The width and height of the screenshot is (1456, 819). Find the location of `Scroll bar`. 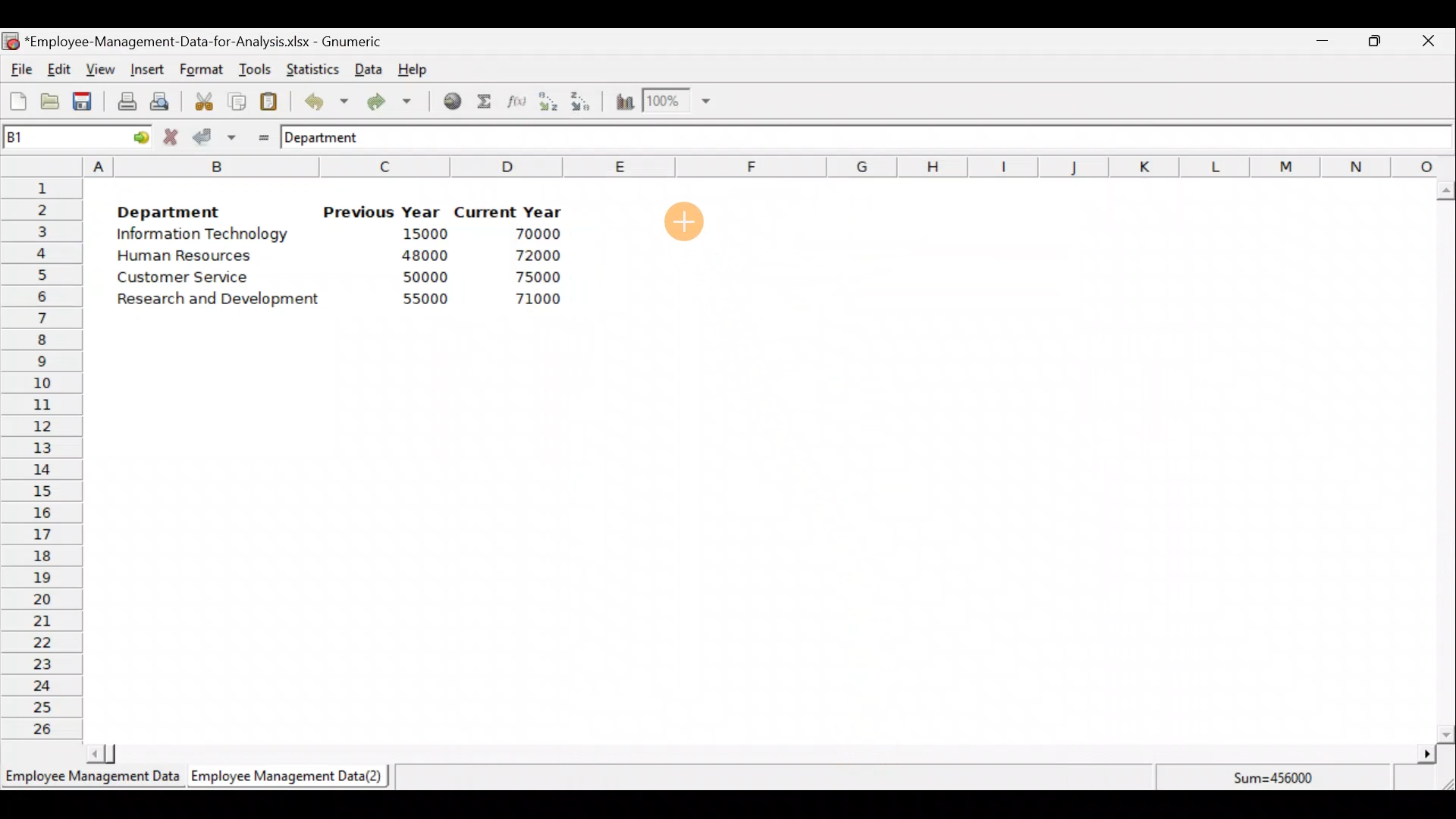

Scroll bar is located at coordinates (1445, 462).